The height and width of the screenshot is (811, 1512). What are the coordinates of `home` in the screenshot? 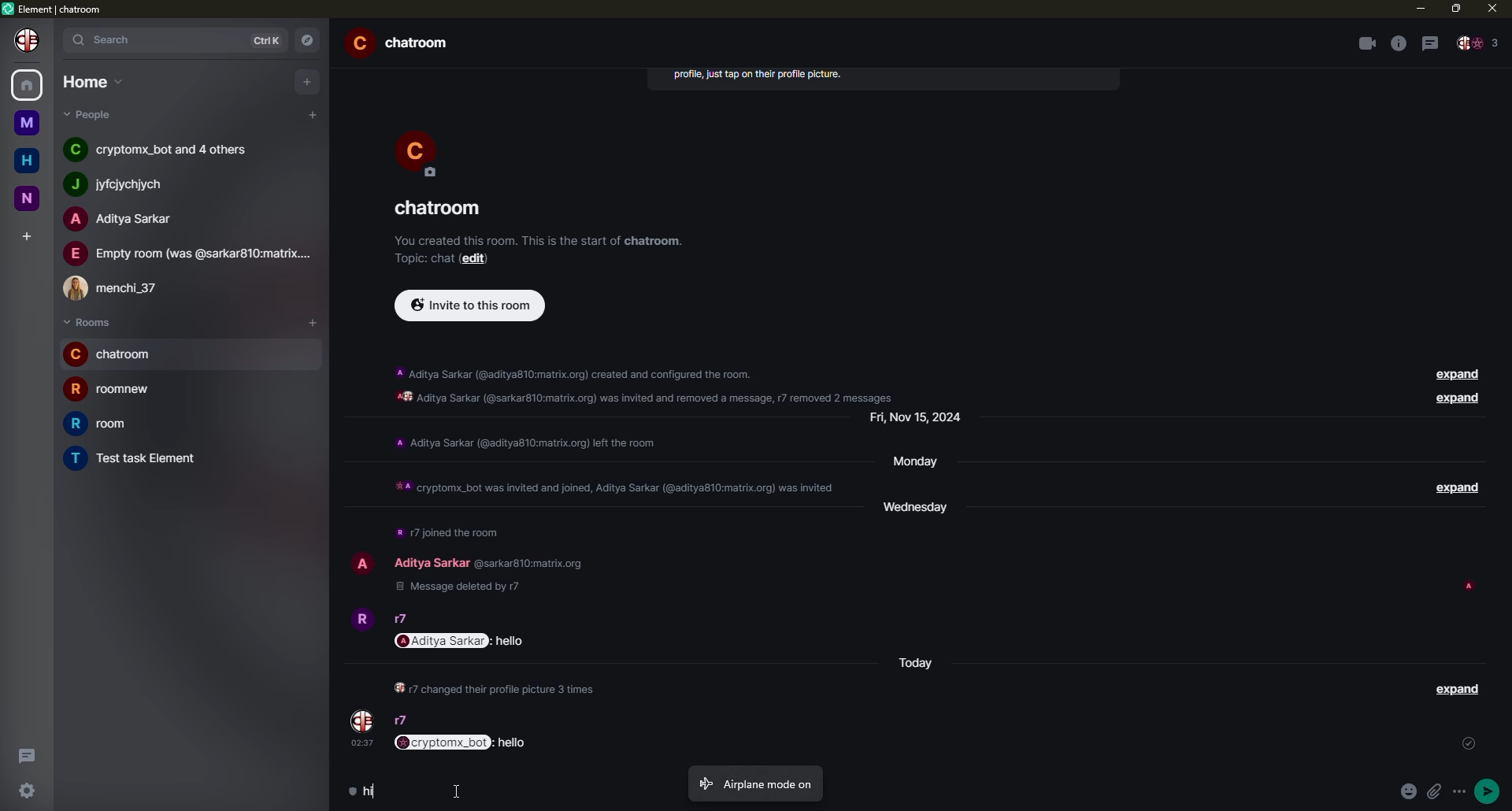 It's located at (91, 80).